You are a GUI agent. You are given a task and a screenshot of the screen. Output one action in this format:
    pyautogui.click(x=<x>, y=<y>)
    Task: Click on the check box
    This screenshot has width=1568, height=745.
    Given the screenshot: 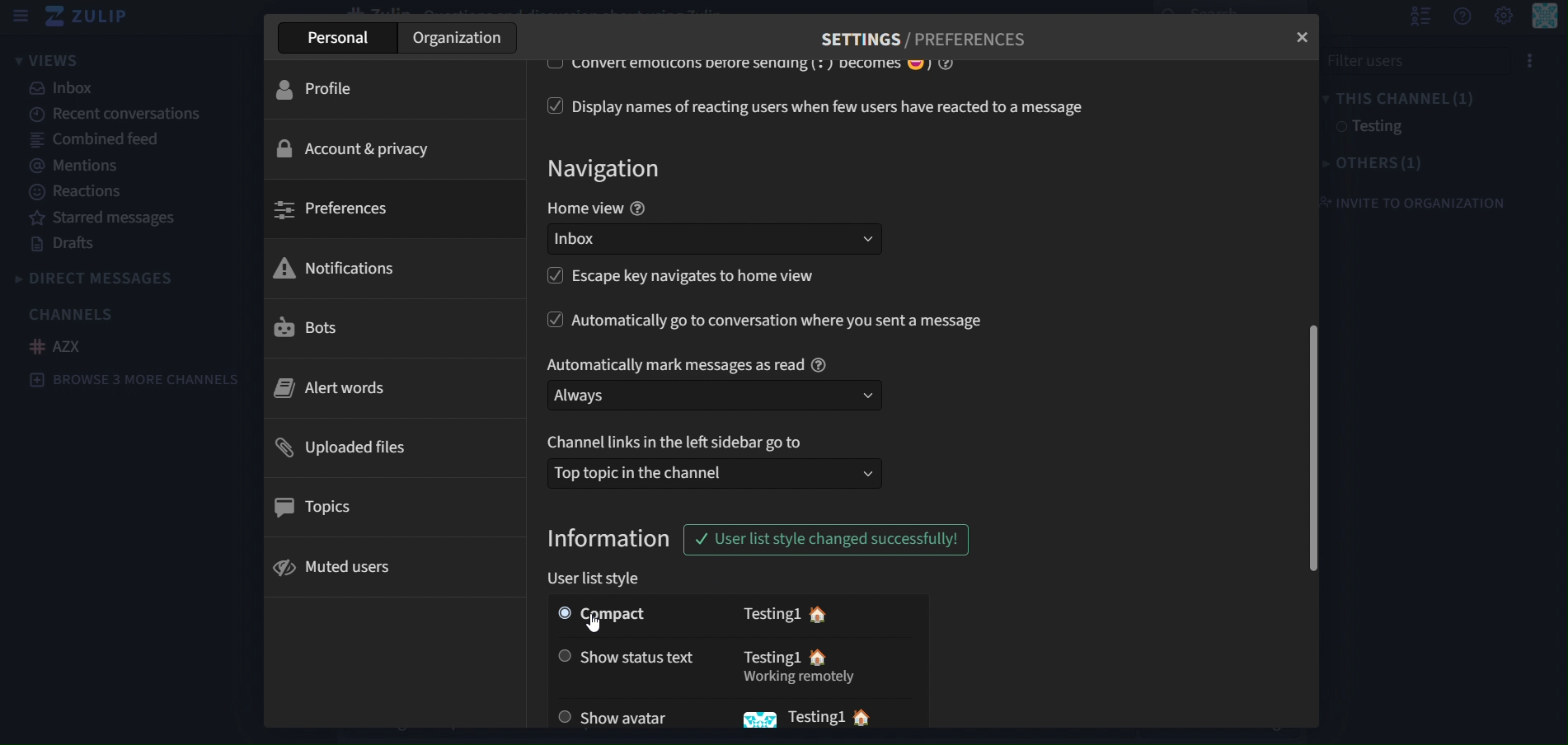 What is the action you would take?
    pyautogui.click(x=544, y=67)
    